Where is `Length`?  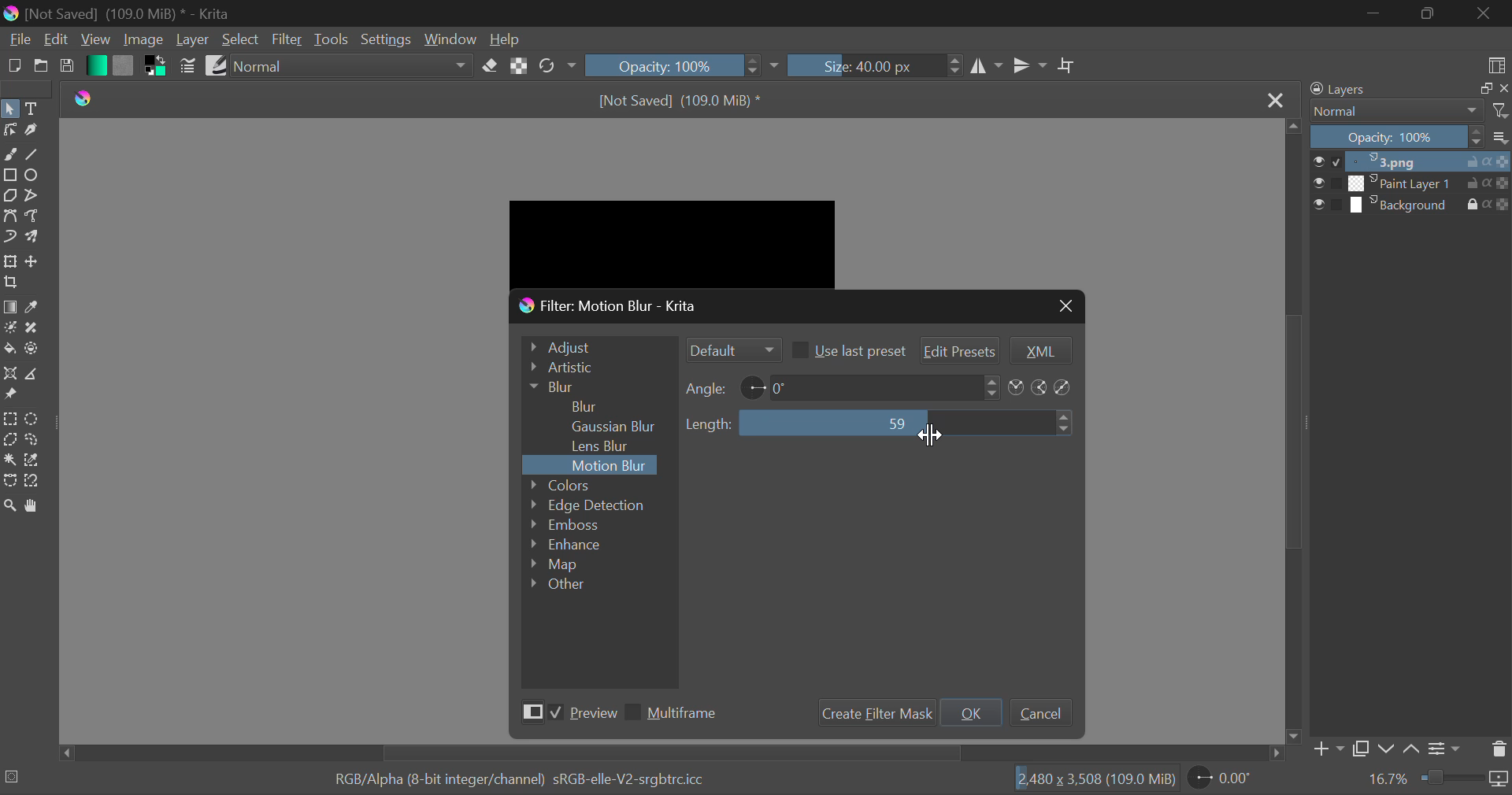
Length is located at coordinates (709, 424).